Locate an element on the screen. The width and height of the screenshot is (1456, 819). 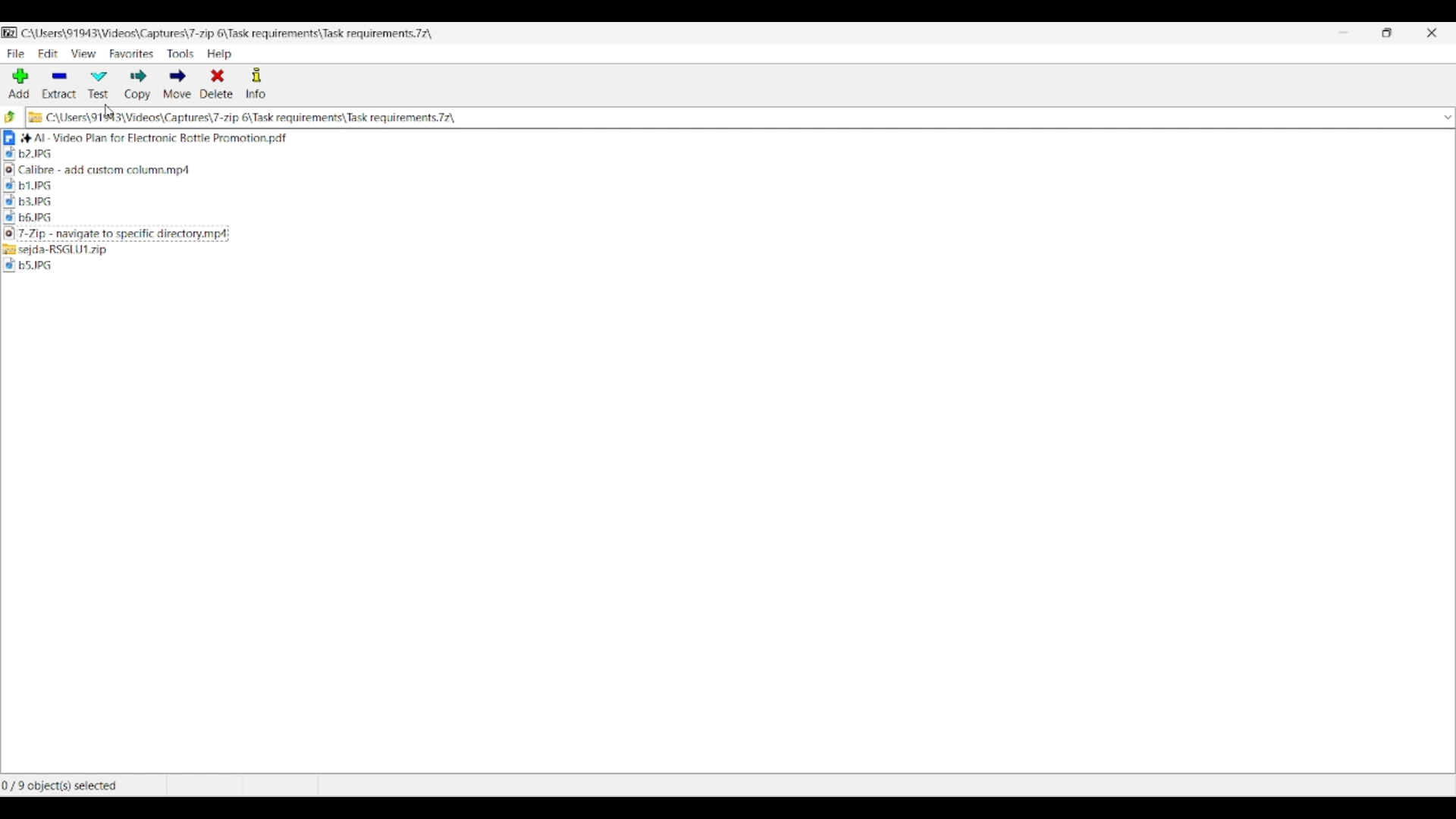
Add is located at coordinates (19, 83).